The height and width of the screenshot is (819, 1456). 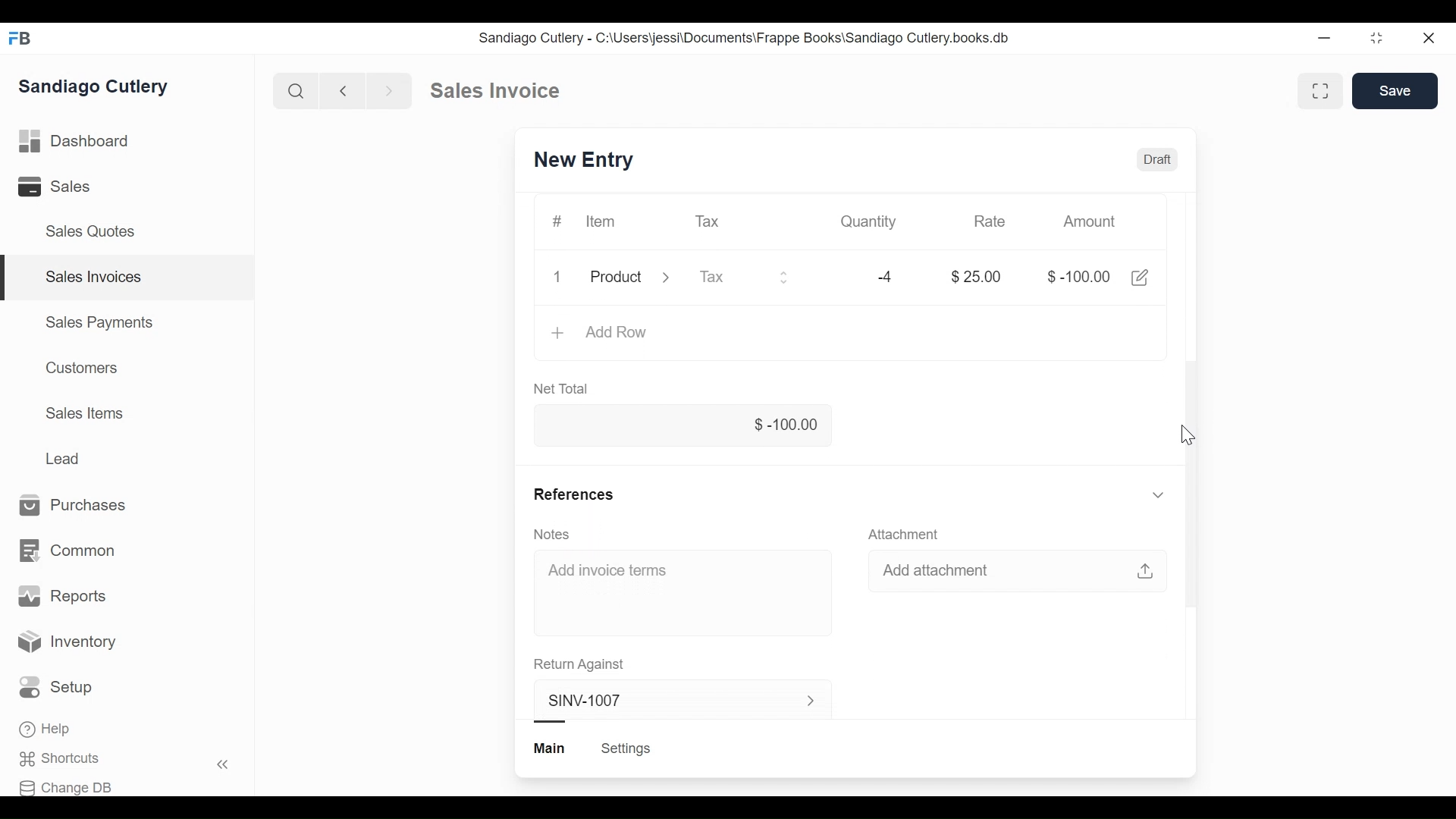 What do you see at coordinates (64, 457) in the screenshot?
I see `Lead` at bounding box center [64, 457].